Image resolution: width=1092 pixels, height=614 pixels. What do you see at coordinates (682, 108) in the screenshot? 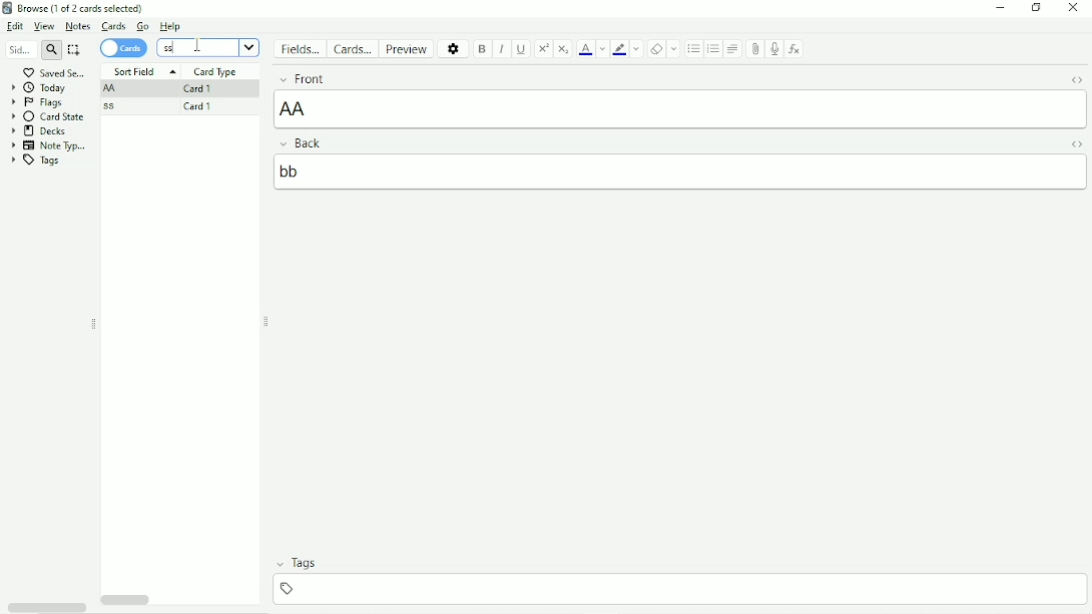
I see `edit front` at bounding box center [682, 108].